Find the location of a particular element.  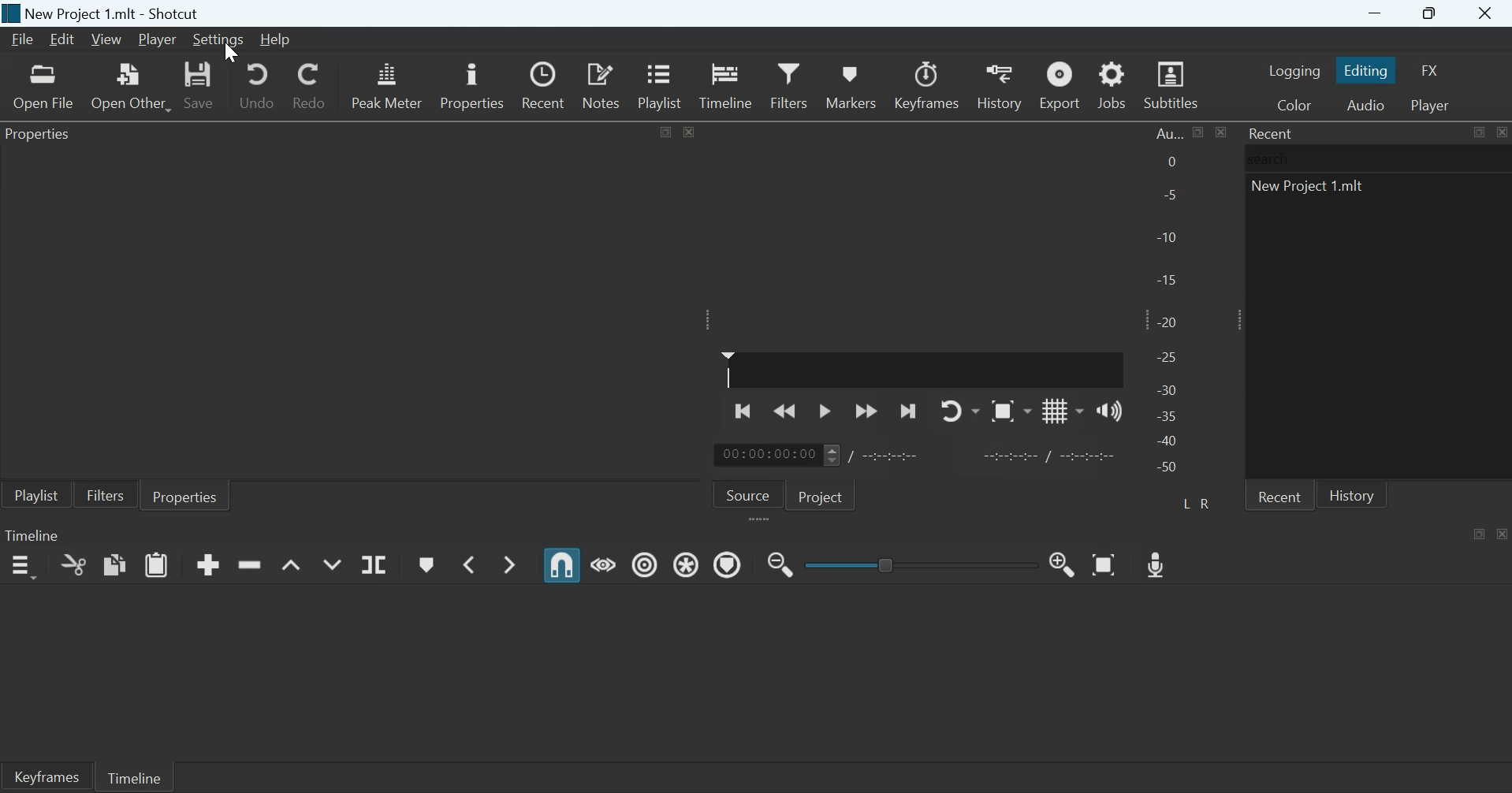

Subtitles is located at coordinates (1173, 85).